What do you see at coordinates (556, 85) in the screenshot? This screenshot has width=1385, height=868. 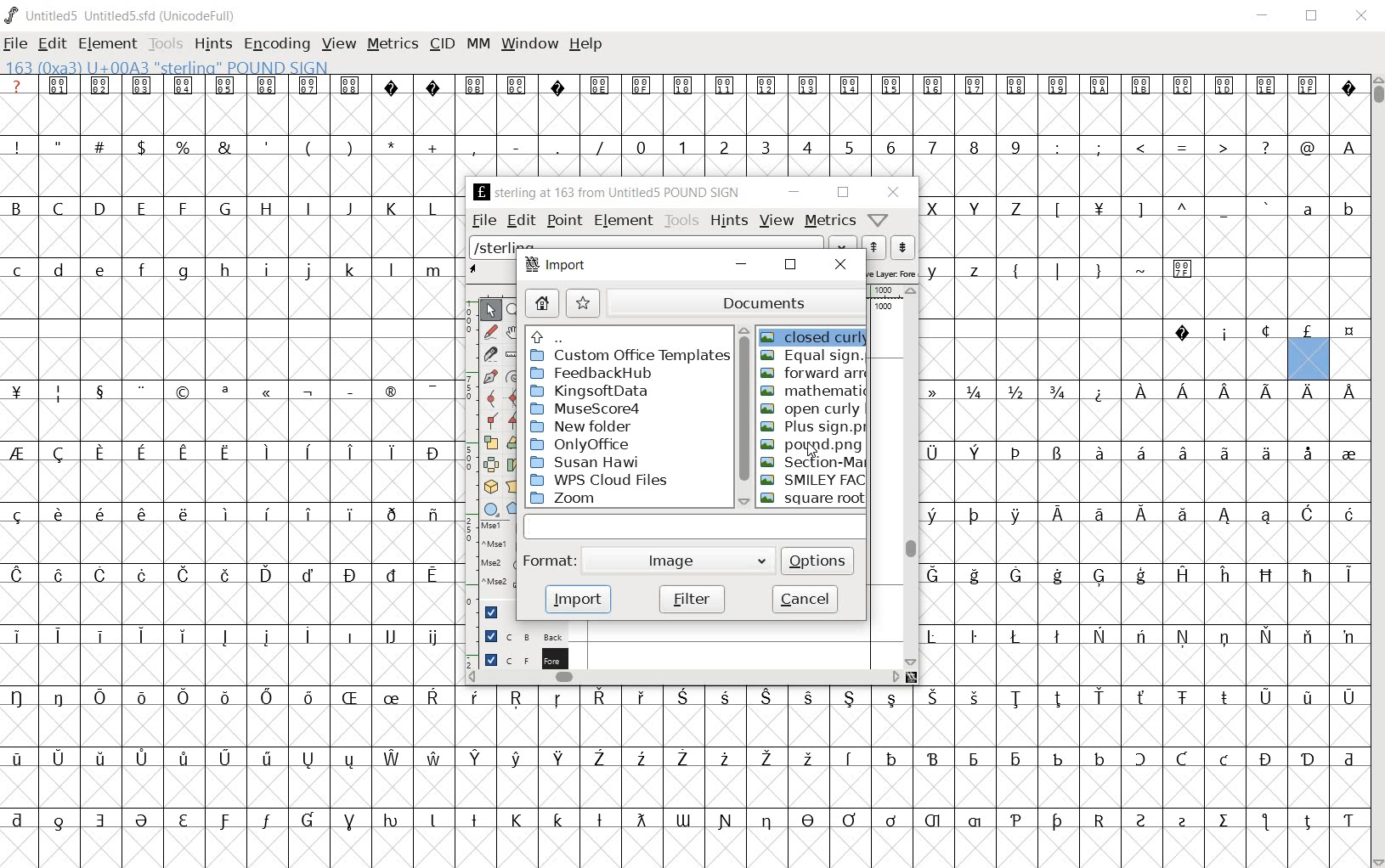 I see `Symbol` at bounding box center [556, 85].